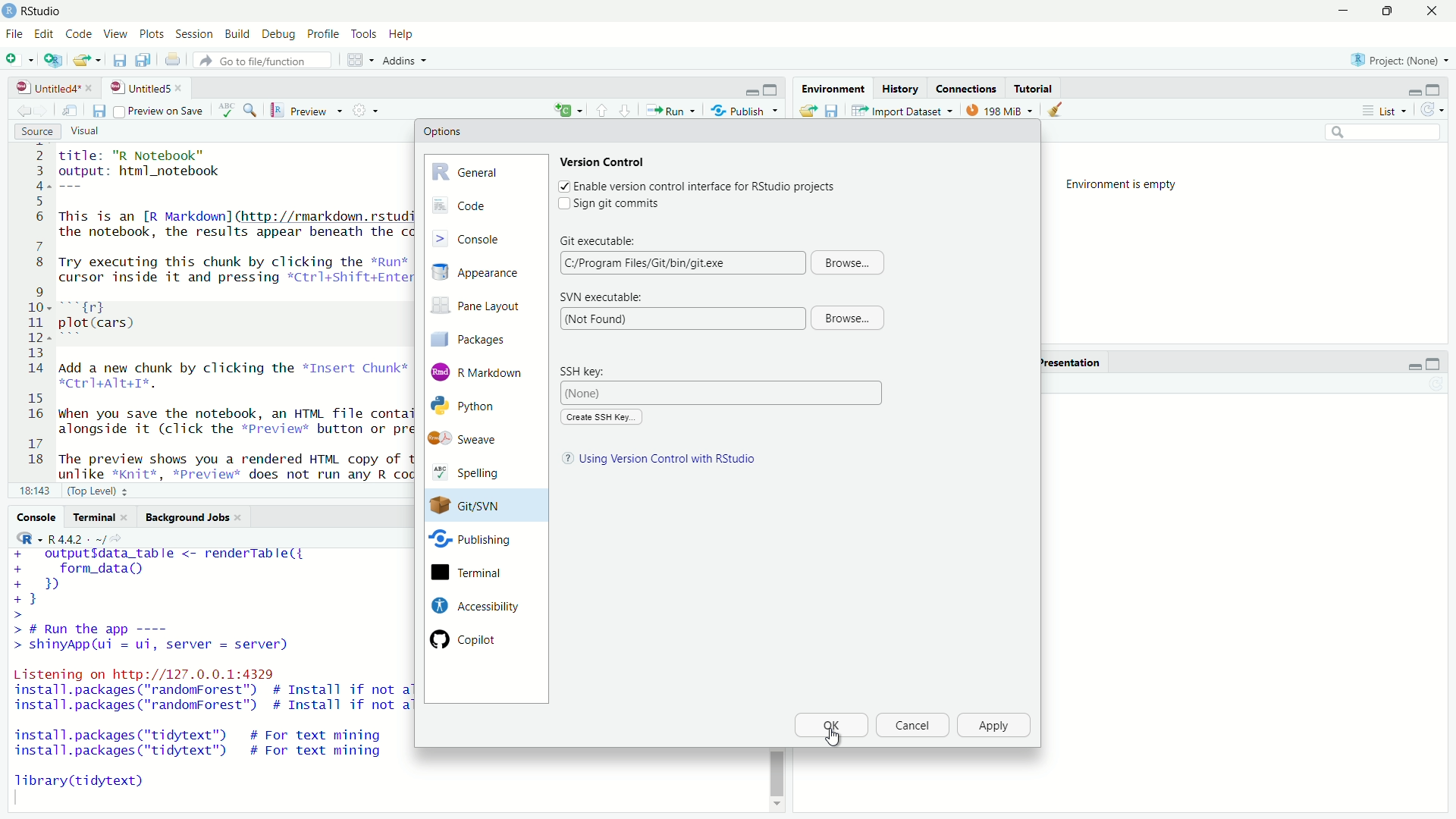 The width and height of the screenshot is (1456, 819). Describe the element at coordinates (1413, 91) in the screenshot. I see `minimize` at that location.